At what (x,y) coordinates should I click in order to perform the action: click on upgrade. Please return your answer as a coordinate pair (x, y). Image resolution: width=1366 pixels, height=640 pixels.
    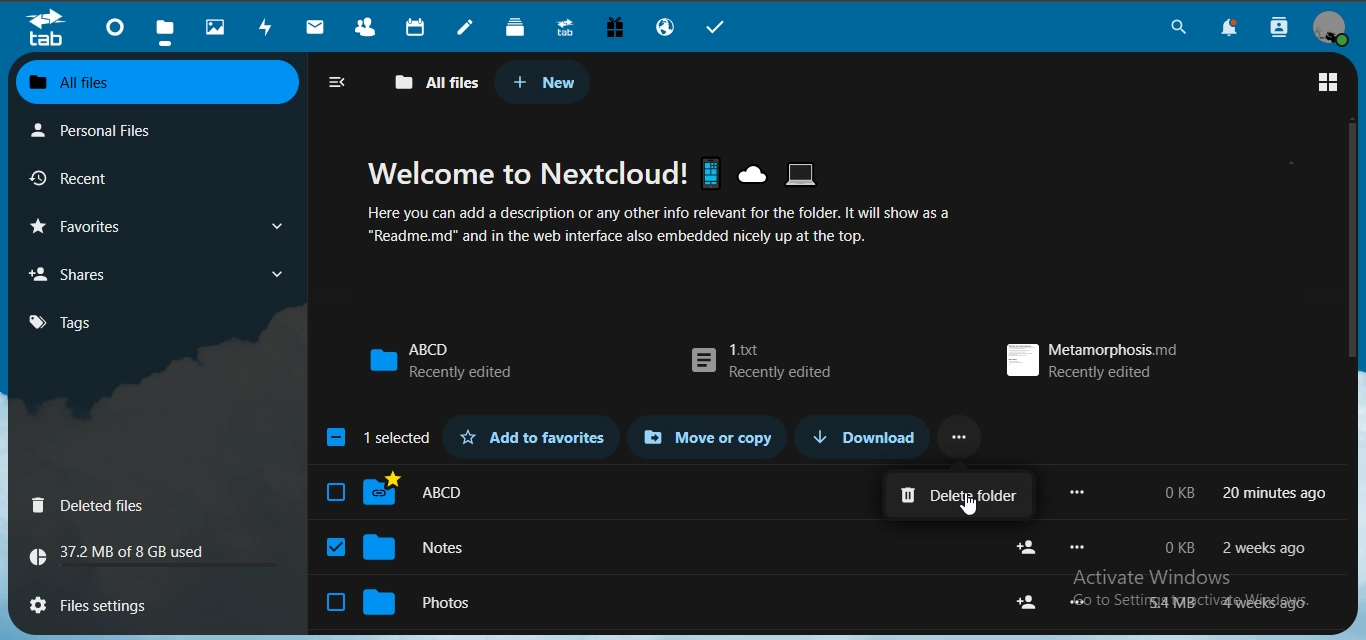
    Looking at the image, I should click on (566, 26).